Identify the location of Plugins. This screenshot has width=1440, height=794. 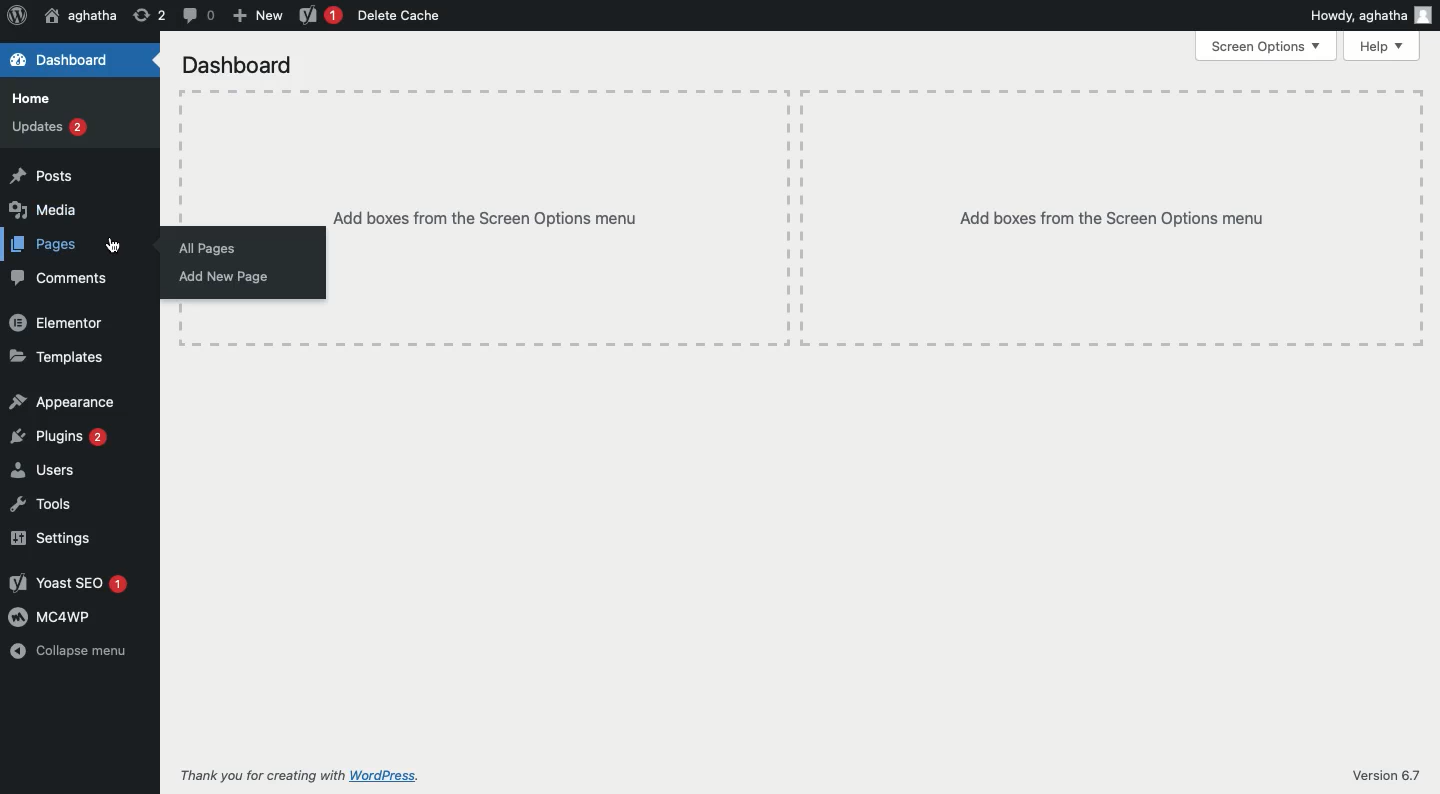
(61, 438).